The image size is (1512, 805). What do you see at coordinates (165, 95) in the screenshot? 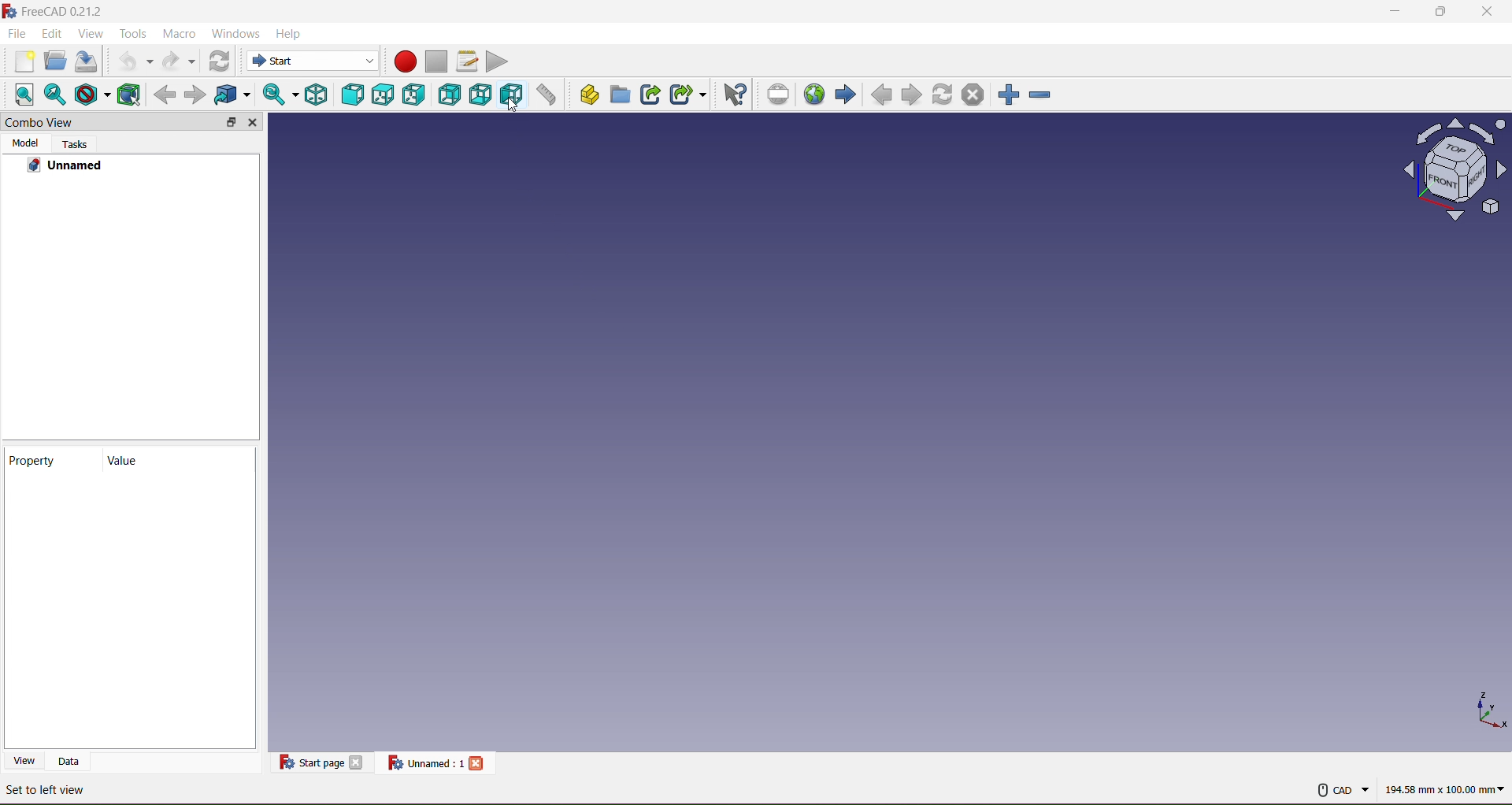
I see `Go Back` at bounding box center [165, 95].